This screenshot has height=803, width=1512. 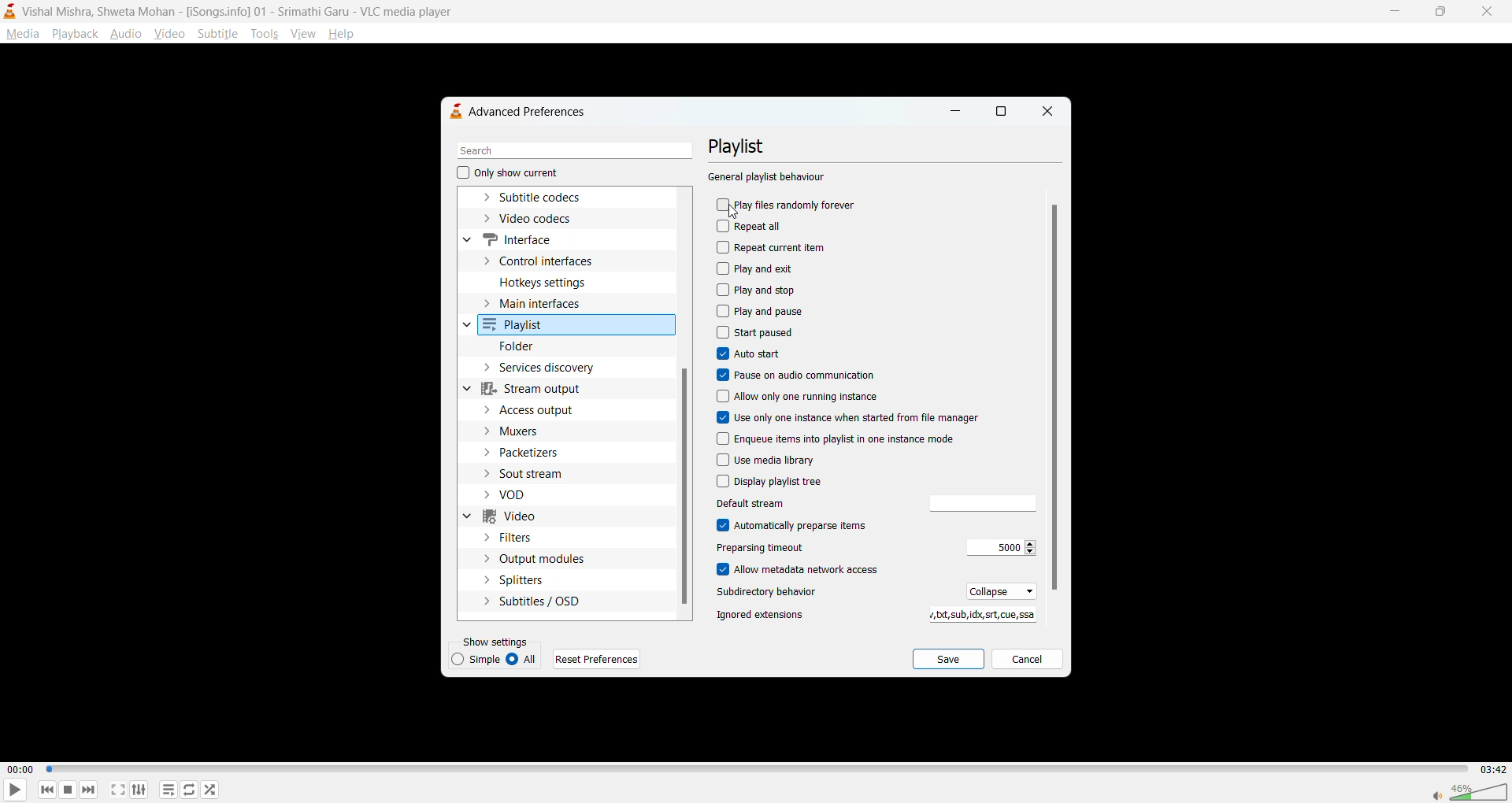 What do you see at coordinates (773, 594) in the screenshot?
I see `subdirectory behaviour` at bounding box center [773, 594].